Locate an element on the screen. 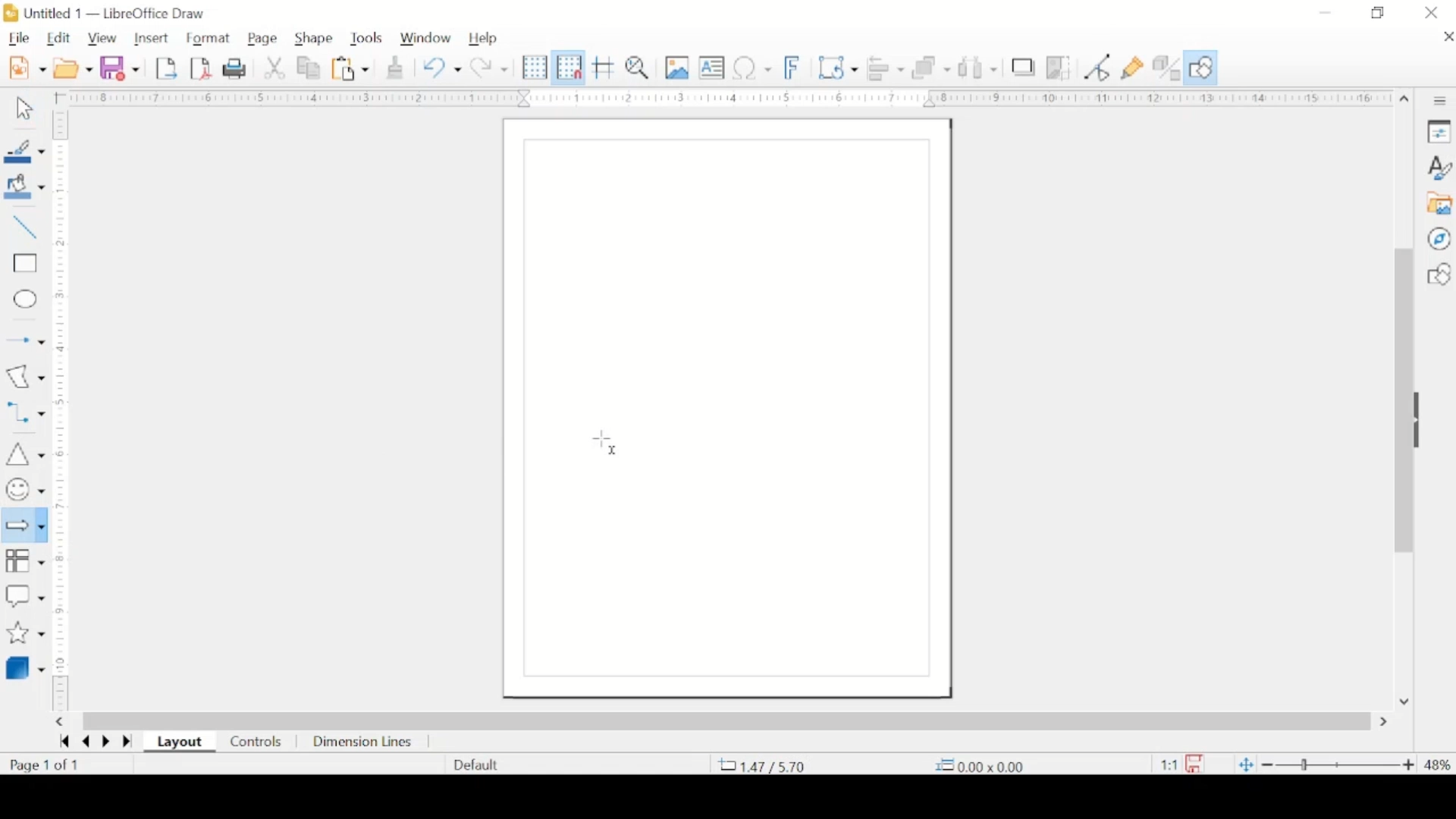 The image size is (1456, 819). copy is located at coordinates (309, 67).